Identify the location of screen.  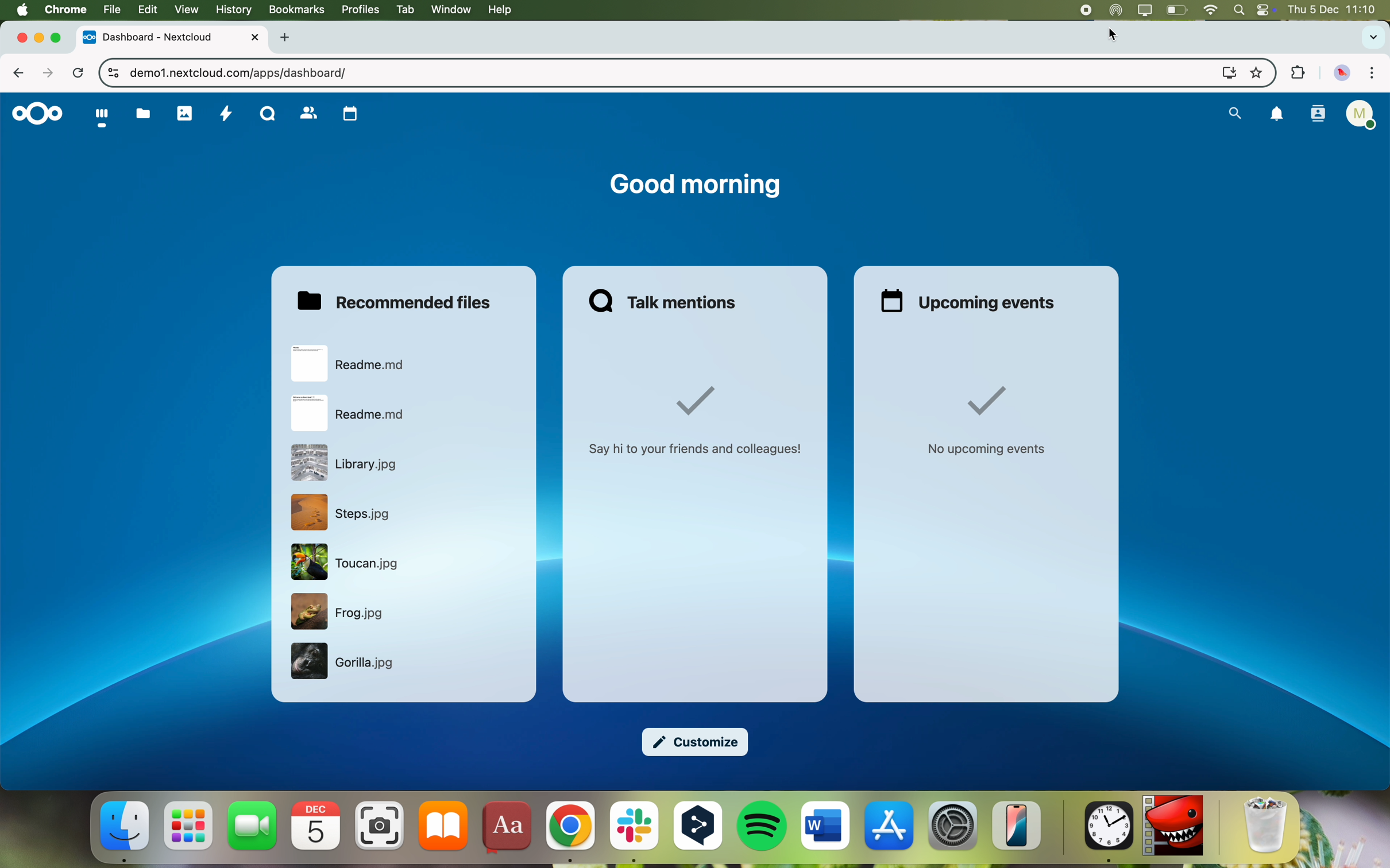
(1144, 10).